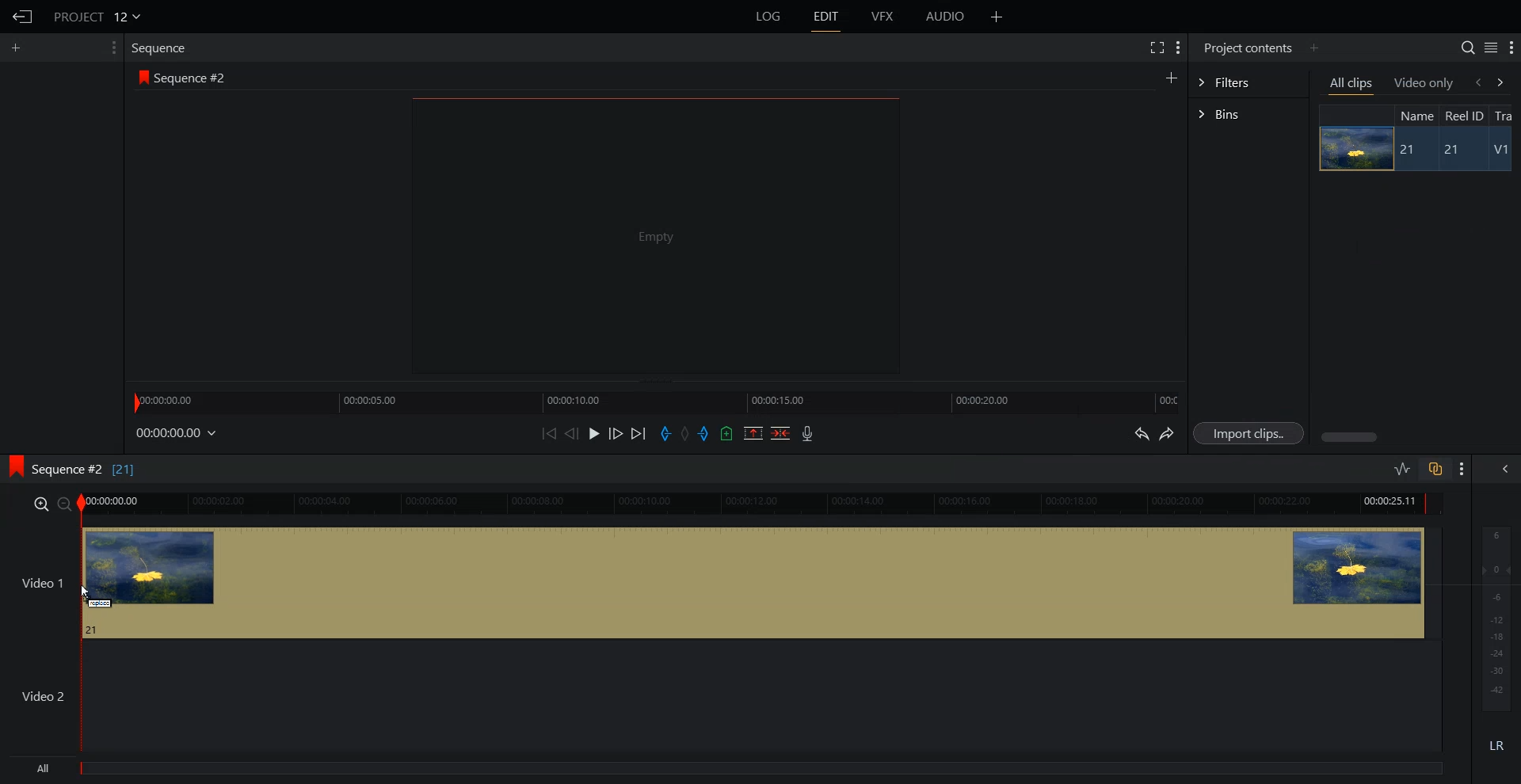  What do you see at coordinates (1410, 150) in the screenshot?
I see `21` at bounding box center [1410, 150].